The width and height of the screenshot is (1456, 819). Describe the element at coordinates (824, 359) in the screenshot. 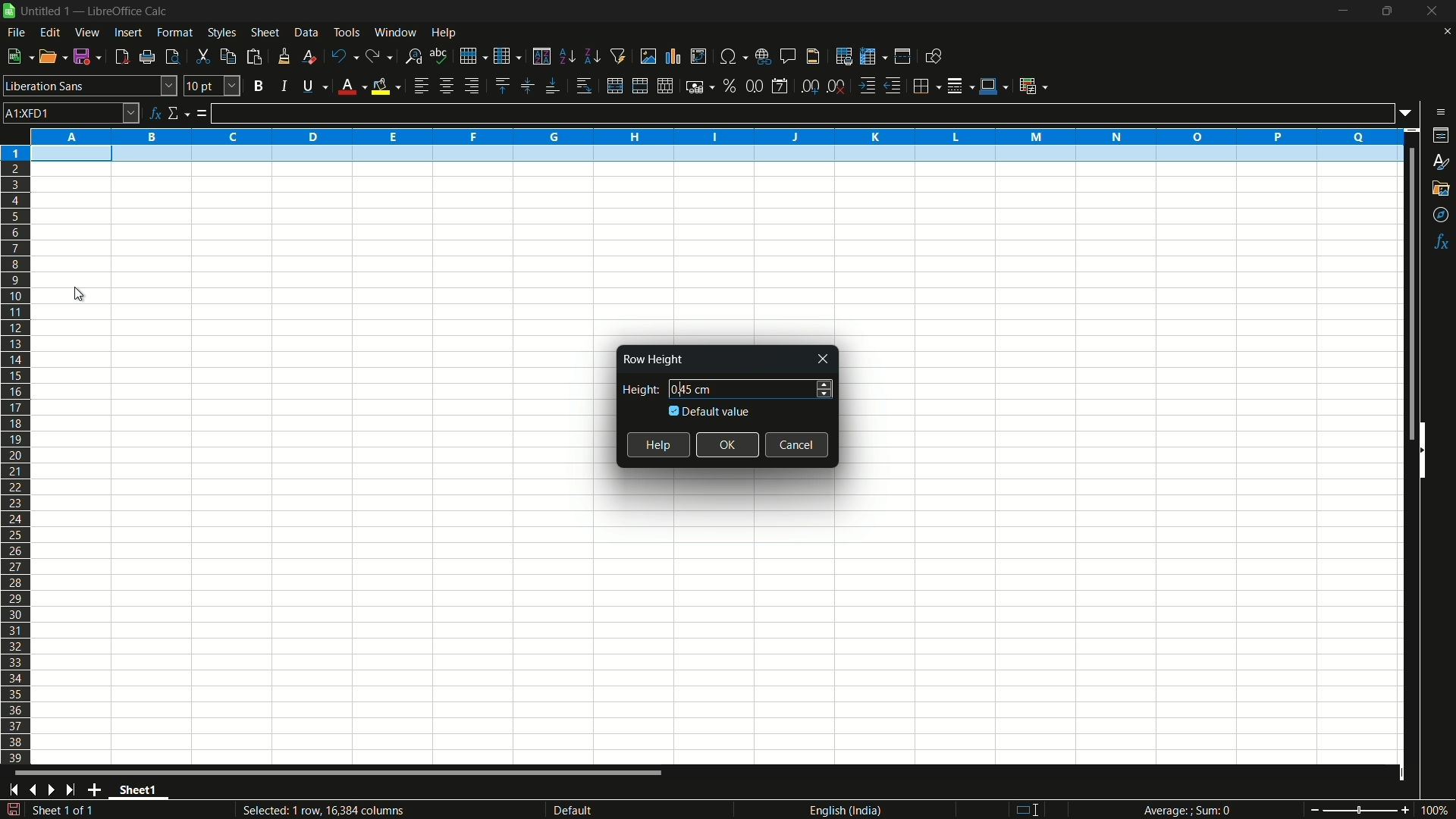

I see `close` at that location.